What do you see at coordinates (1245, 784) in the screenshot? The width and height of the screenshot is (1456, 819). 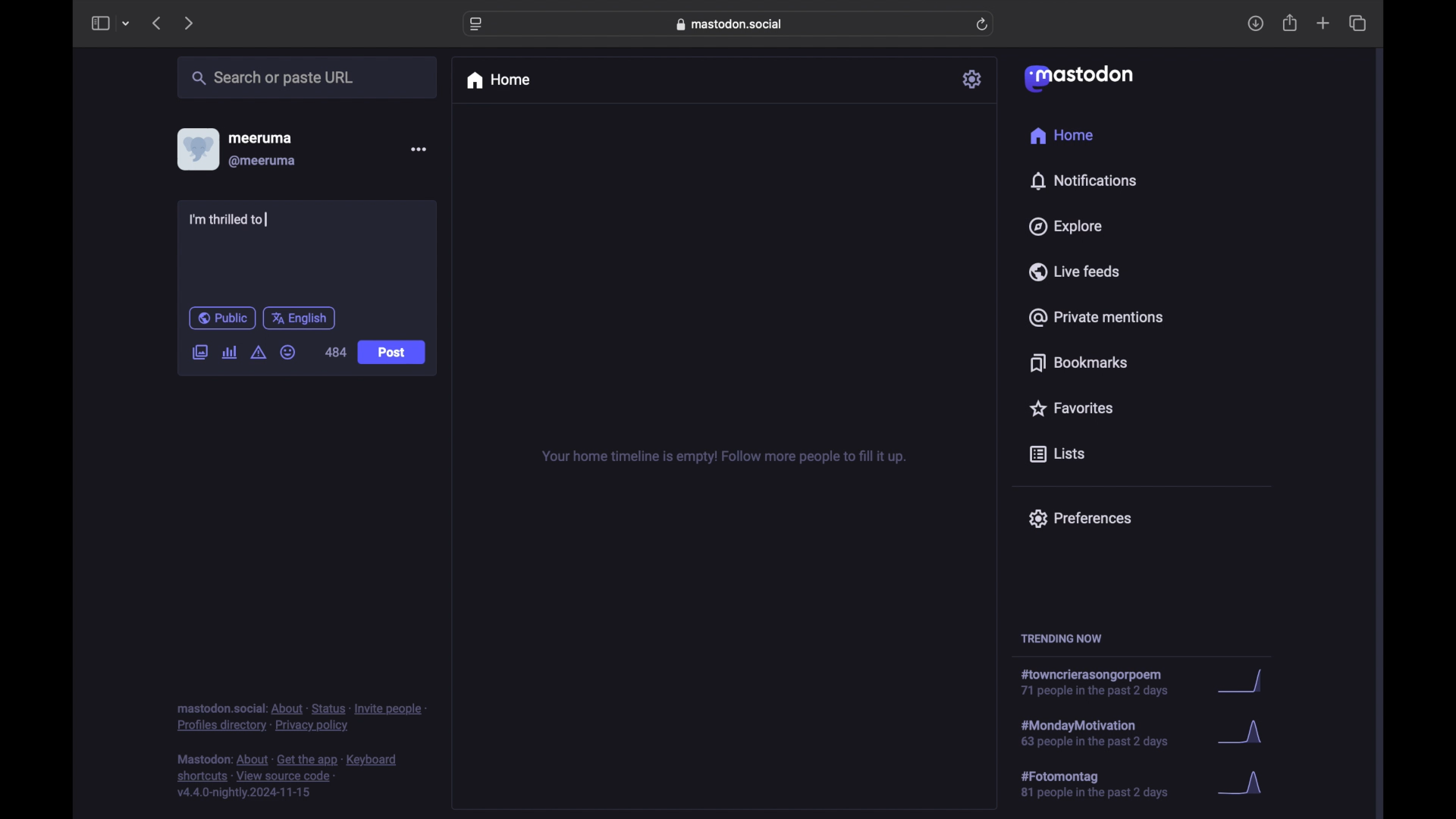 I see `graph` at bounding box center [1245, 784].